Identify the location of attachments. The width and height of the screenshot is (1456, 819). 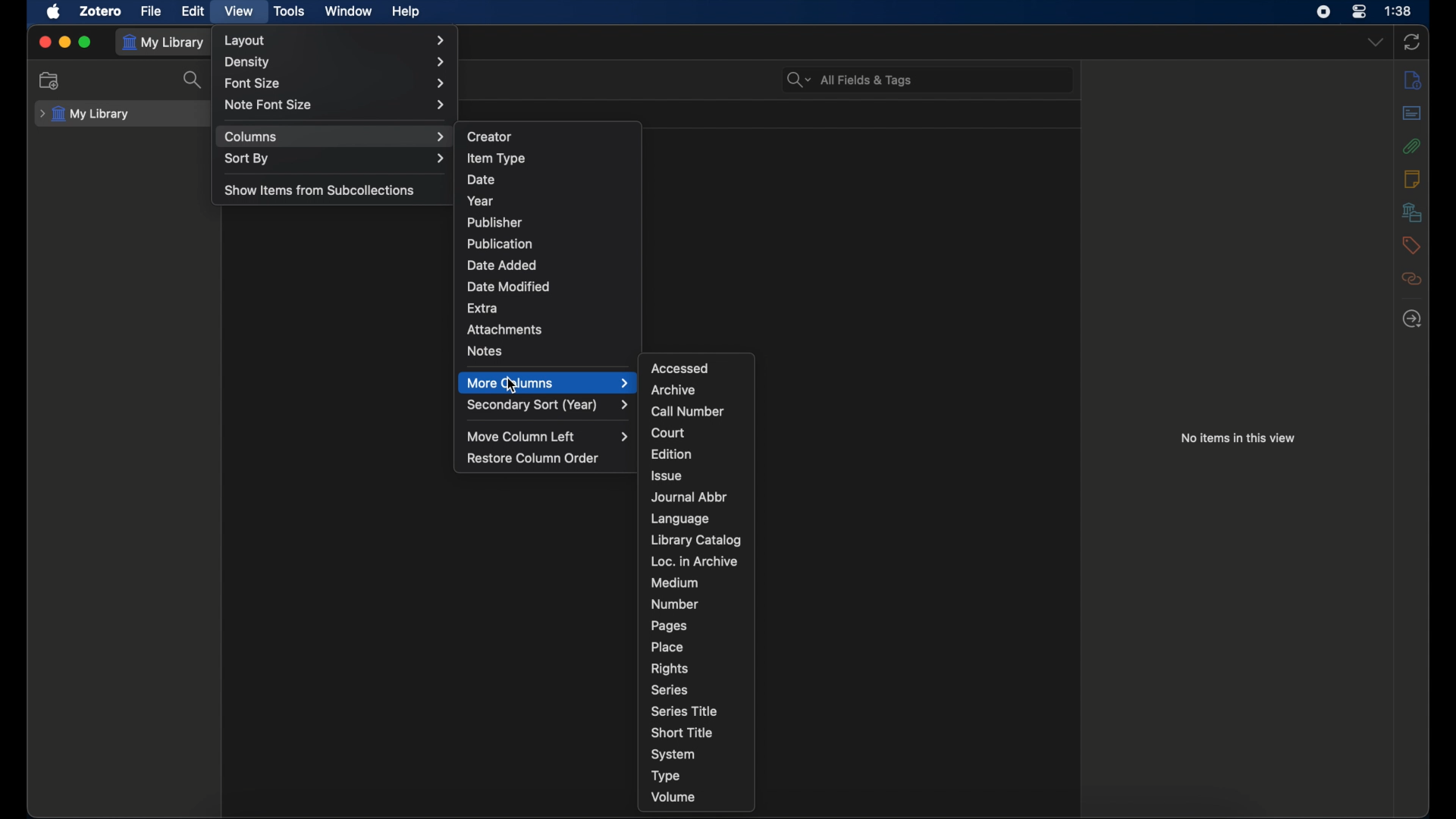
(505, 328).